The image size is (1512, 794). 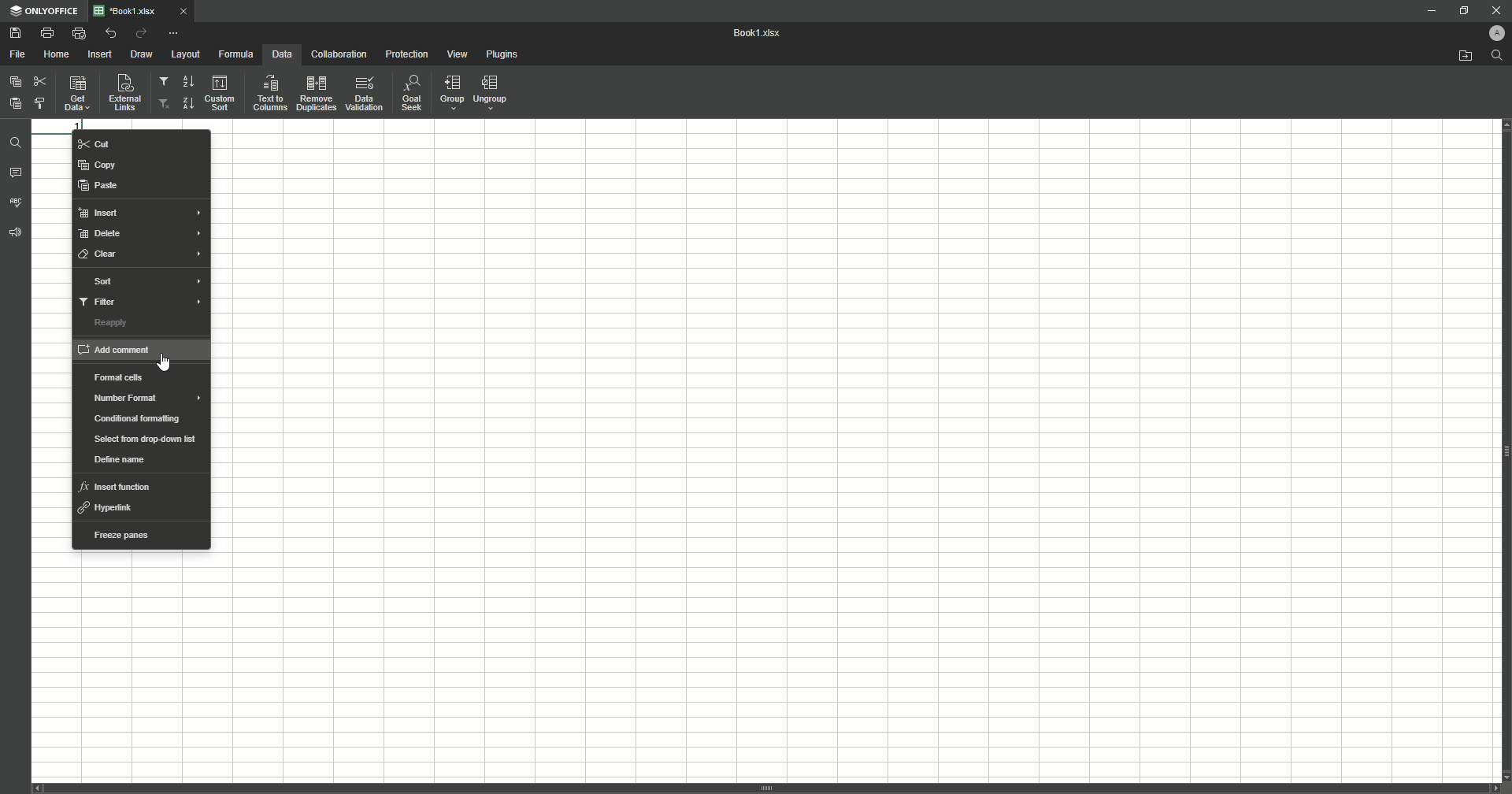 I want to click on vertical scroll bar, so click(x=766, y=788).